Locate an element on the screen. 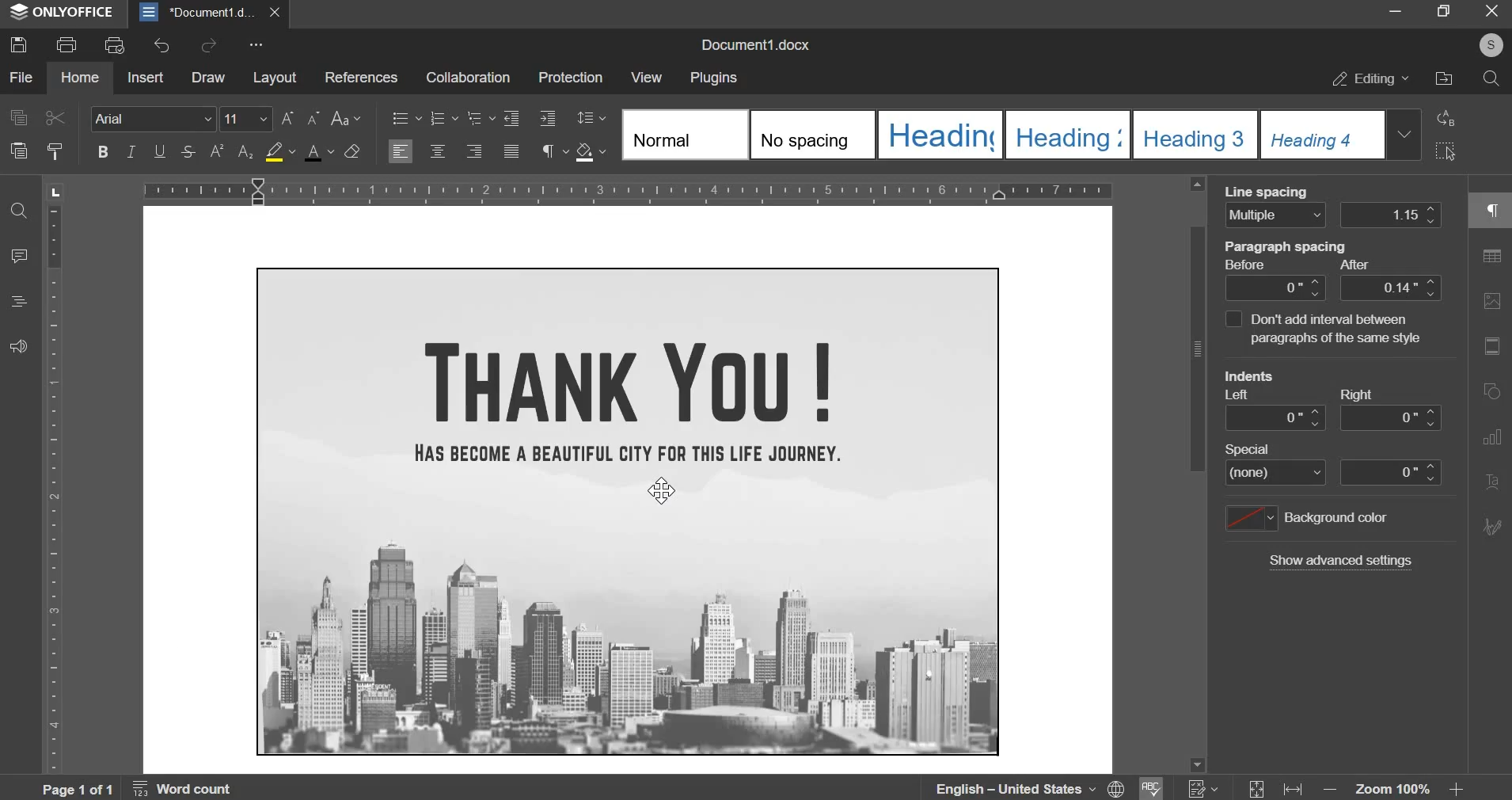 The height and width of the screenshot is (800, 1512). indents is located at coordinates (1332, 417).